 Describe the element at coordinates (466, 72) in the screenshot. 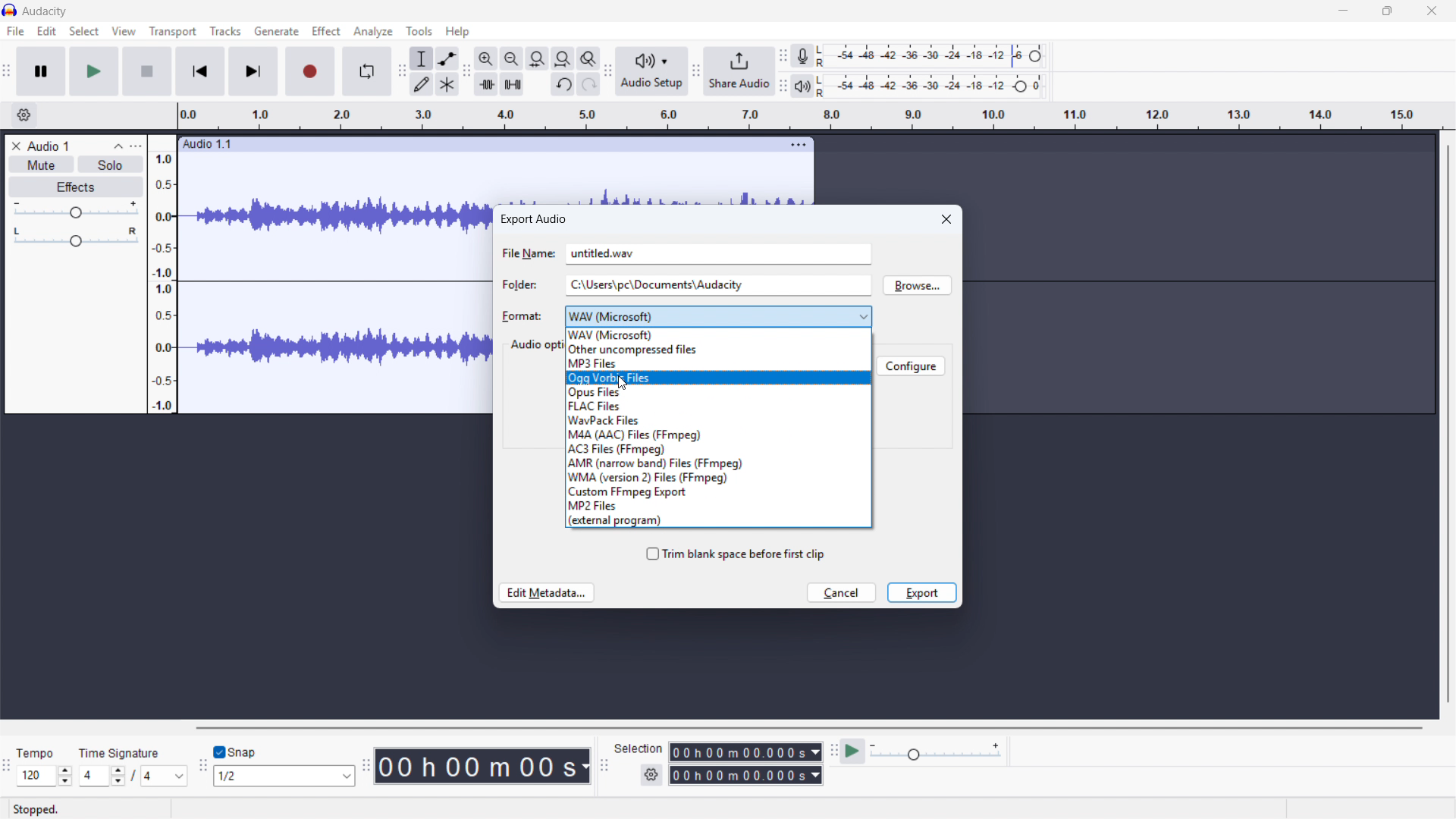

I see `Edit toolbar ` at that location.